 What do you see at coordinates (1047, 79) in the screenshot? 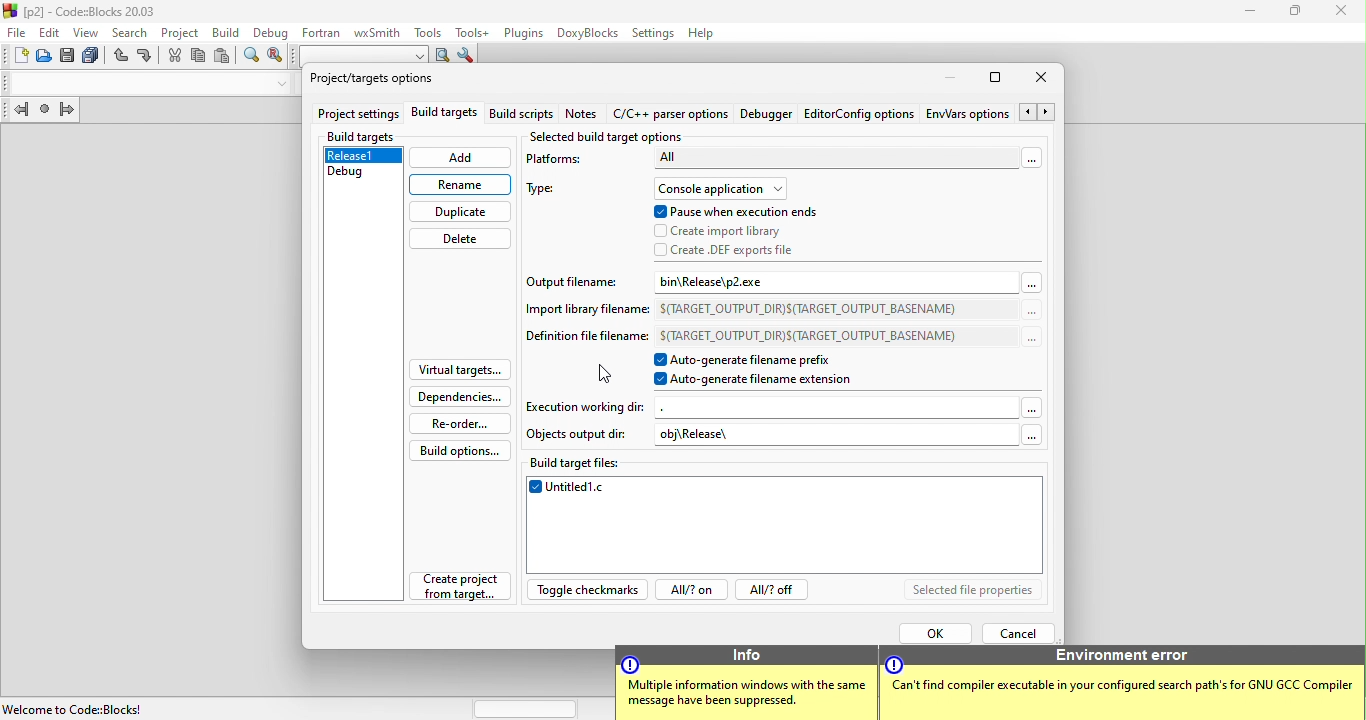
I see `close` at bounding box center [1047, 79].